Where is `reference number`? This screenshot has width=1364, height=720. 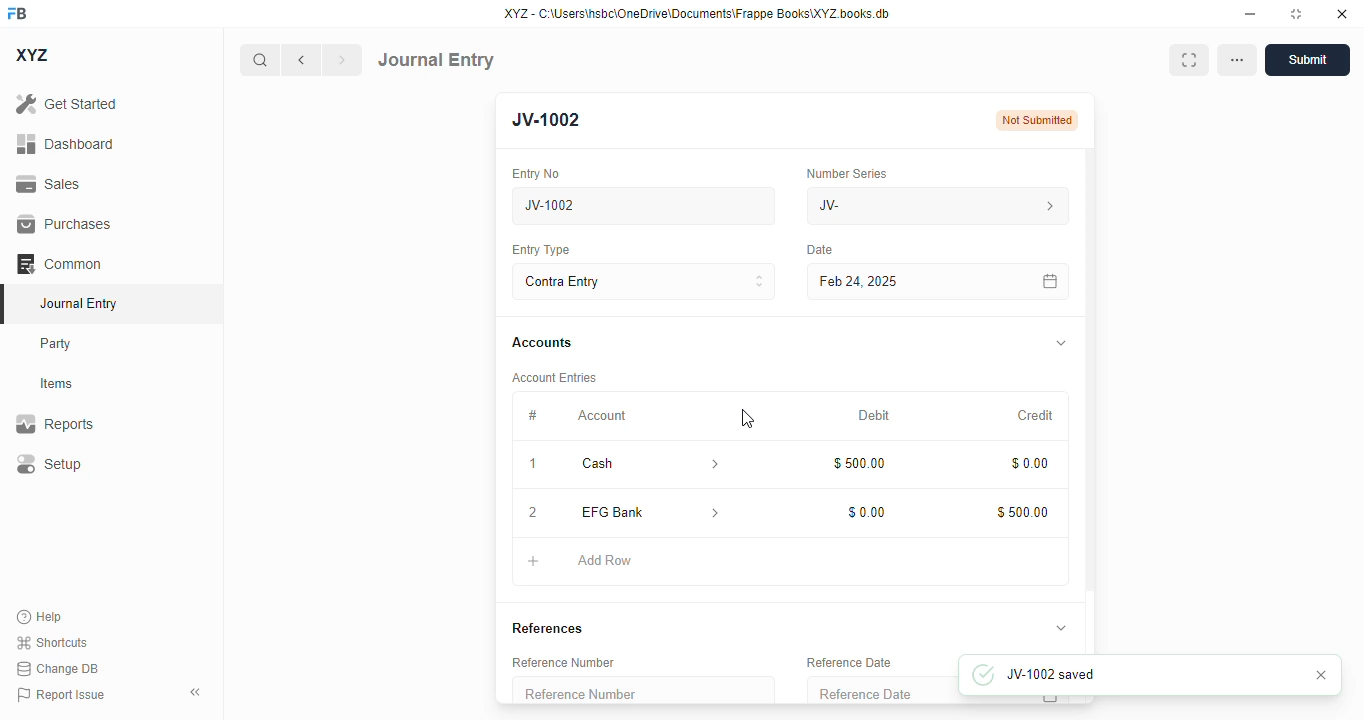 reference number is located at coordinates (645, 690).